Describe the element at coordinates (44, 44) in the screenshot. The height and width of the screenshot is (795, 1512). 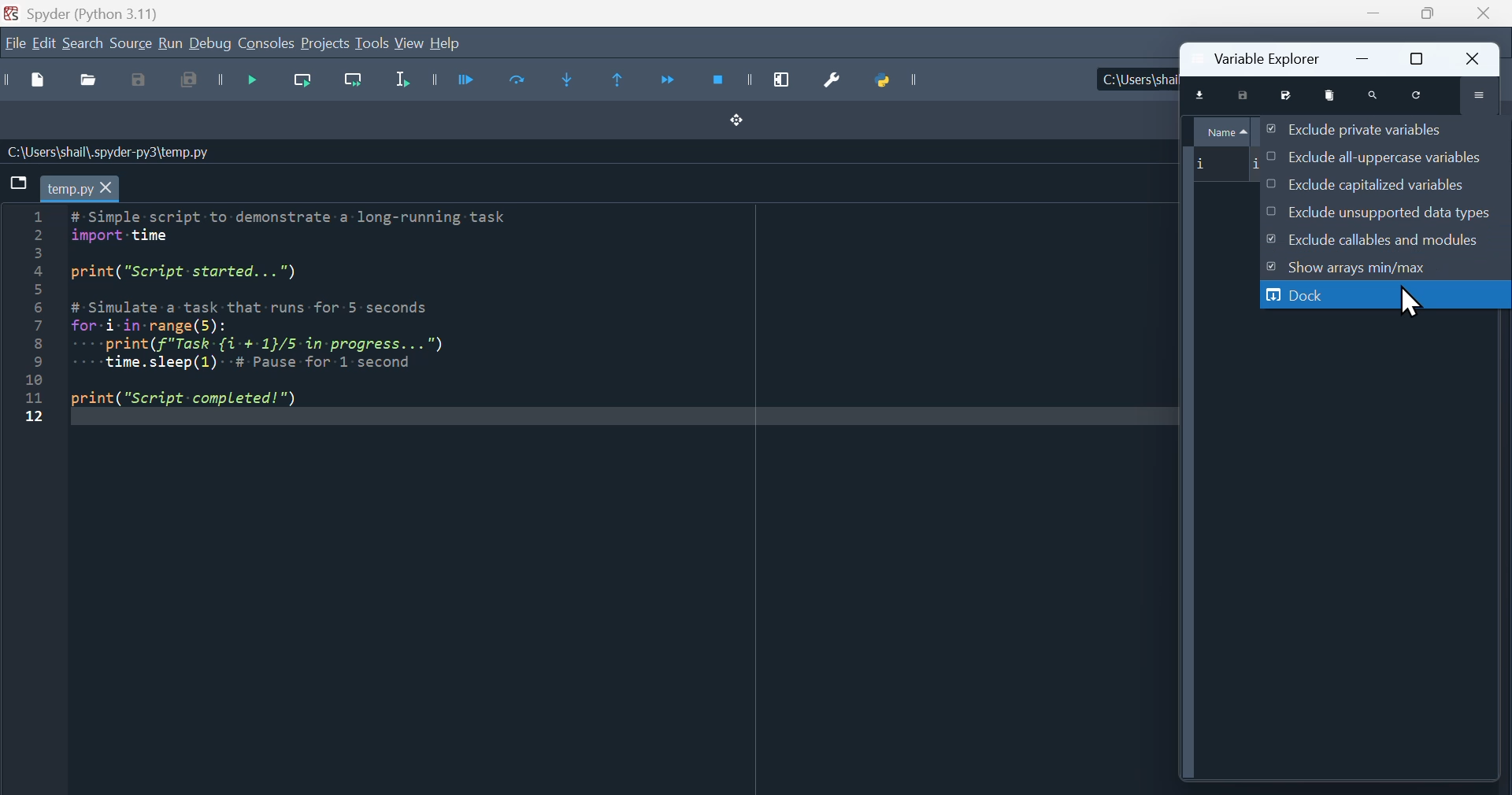
I see `edit` at that location.